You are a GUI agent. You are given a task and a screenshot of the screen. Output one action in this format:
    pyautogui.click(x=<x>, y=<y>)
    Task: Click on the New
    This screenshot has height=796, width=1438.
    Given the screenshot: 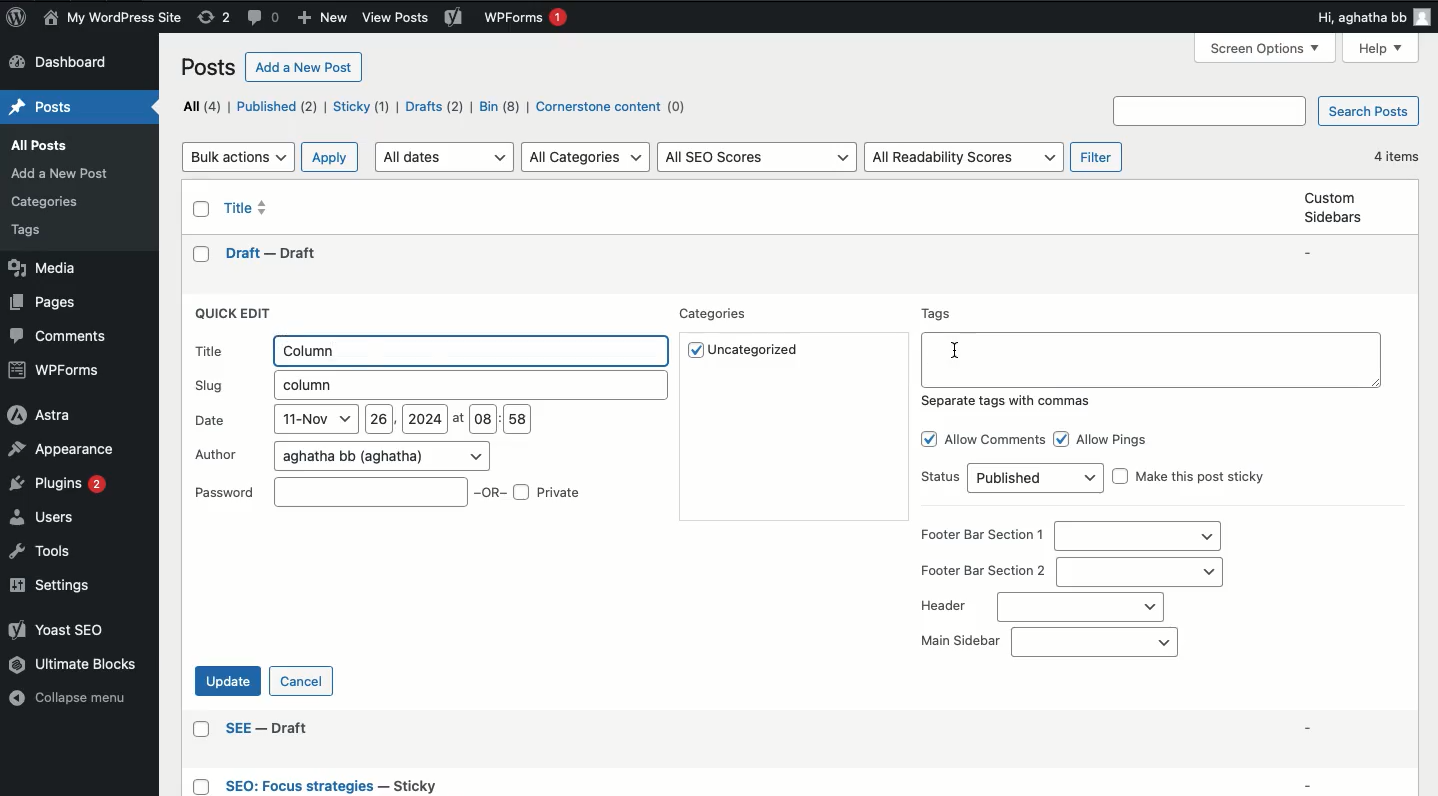 What is the action you would take?
    pyautogui.click(x=325, y=17)
    